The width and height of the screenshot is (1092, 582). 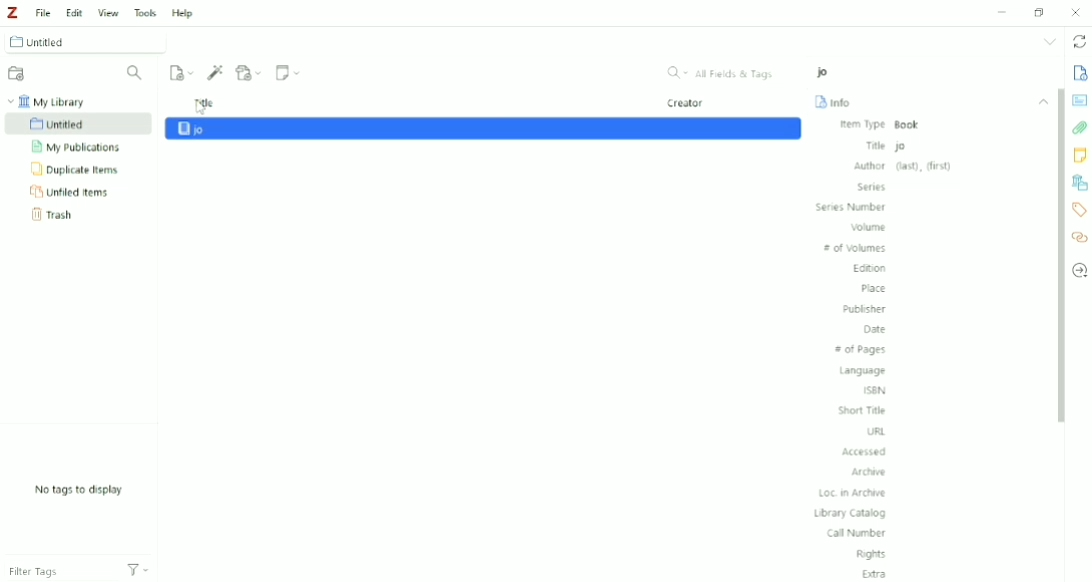 What do you see at coordinates (875, 573) in the screenshot?
I see `Extra` at bounding box center [875, 573].